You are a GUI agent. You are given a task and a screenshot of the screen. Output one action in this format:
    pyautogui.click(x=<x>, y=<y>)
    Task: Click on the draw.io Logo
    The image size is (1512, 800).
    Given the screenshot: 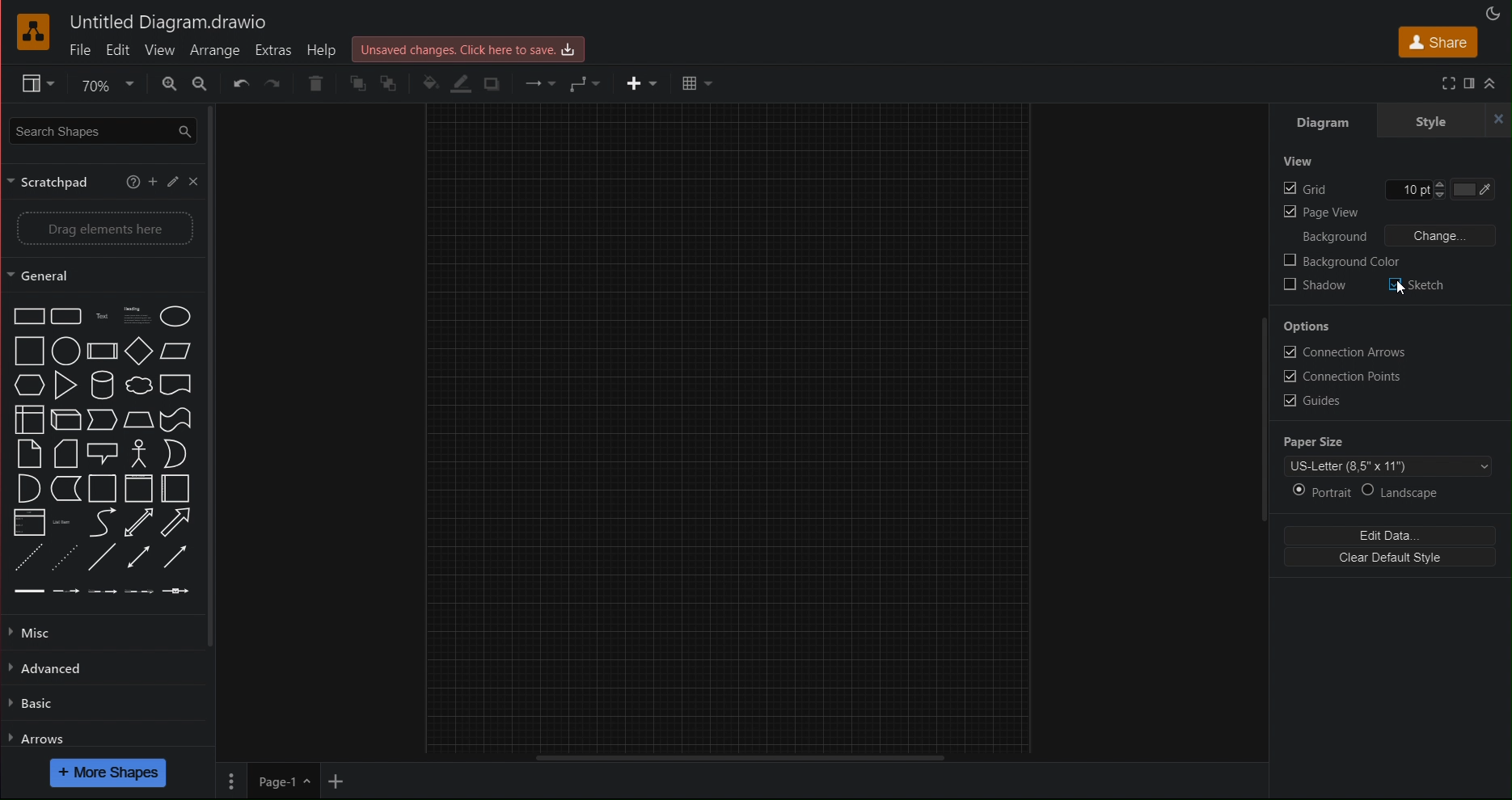 What is the action you would take?
    pyautogui.click(x=32, y=33)
    